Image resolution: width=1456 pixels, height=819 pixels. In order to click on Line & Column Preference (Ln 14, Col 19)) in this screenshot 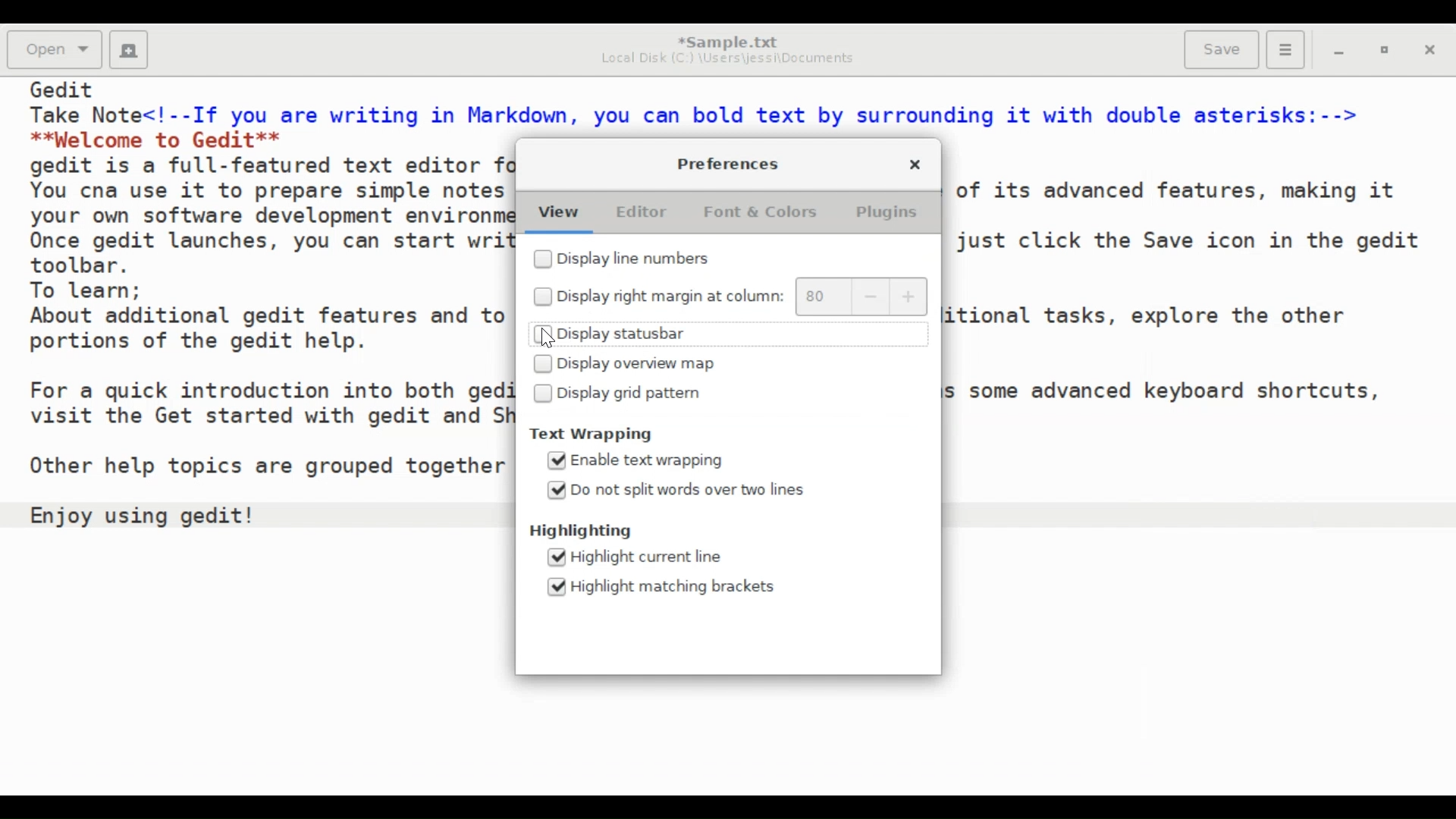, I will do `click(1307, 781)`.